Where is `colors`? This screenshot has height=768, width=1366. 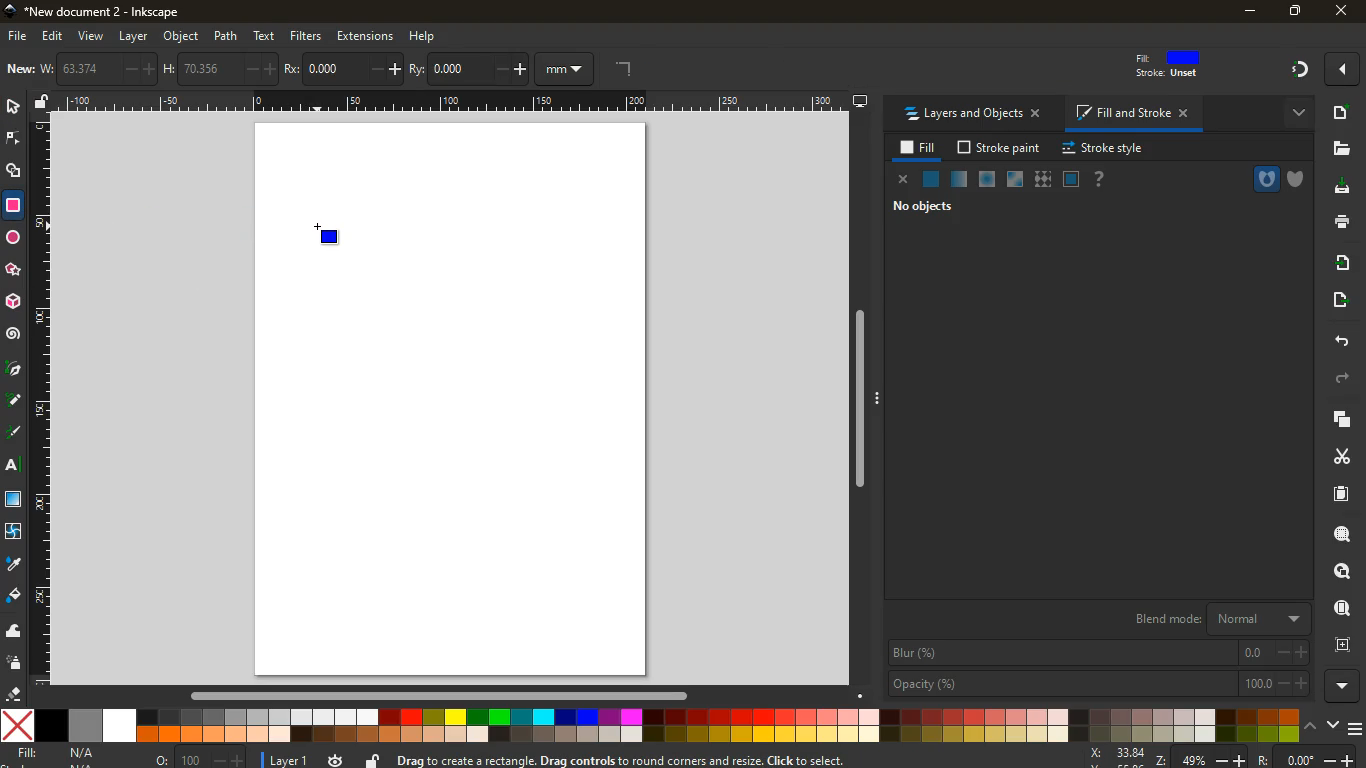 colors is located at coordinates (649, 726).